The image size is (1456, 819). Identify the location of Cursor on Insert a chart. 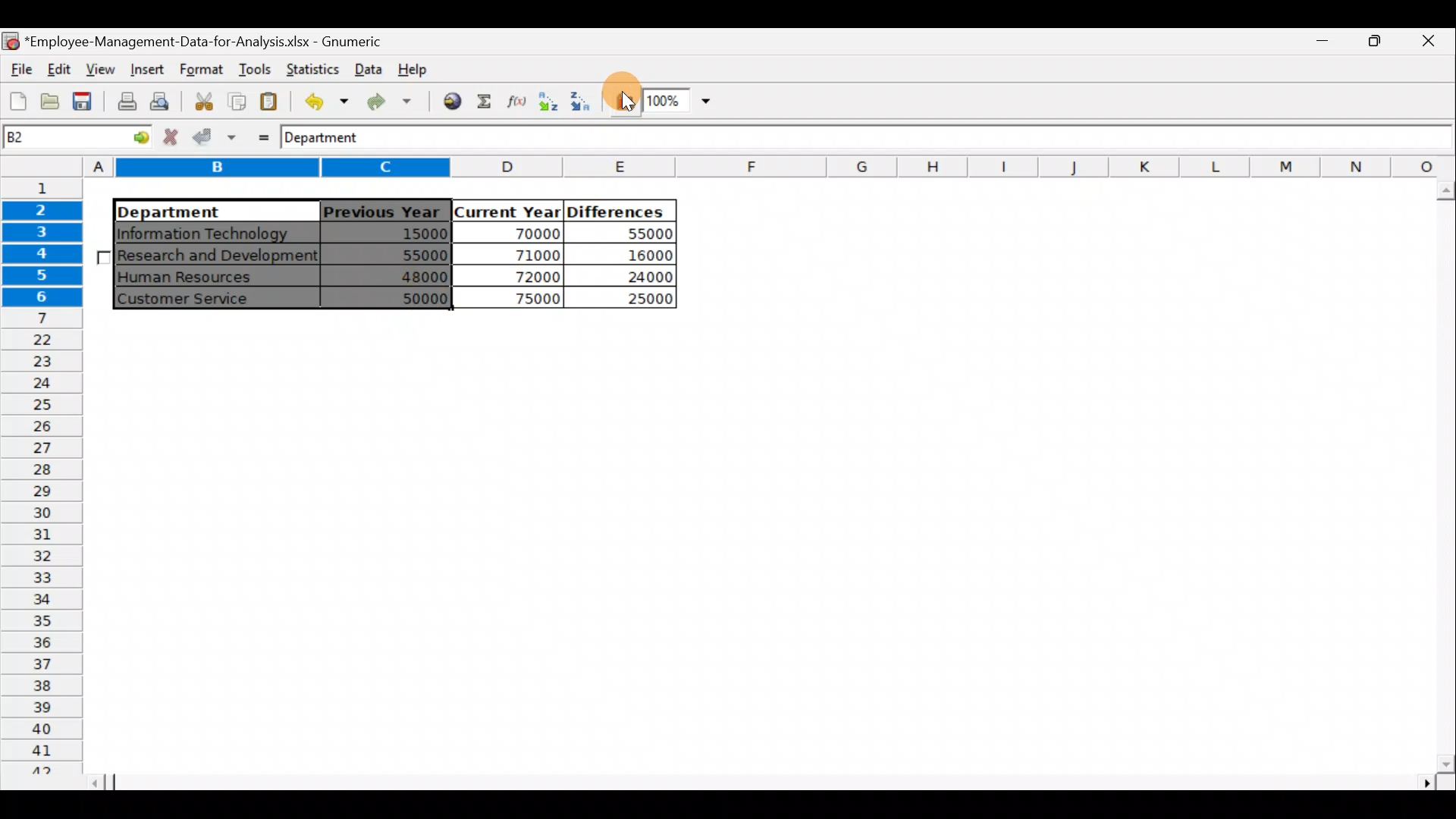
(622, 86).